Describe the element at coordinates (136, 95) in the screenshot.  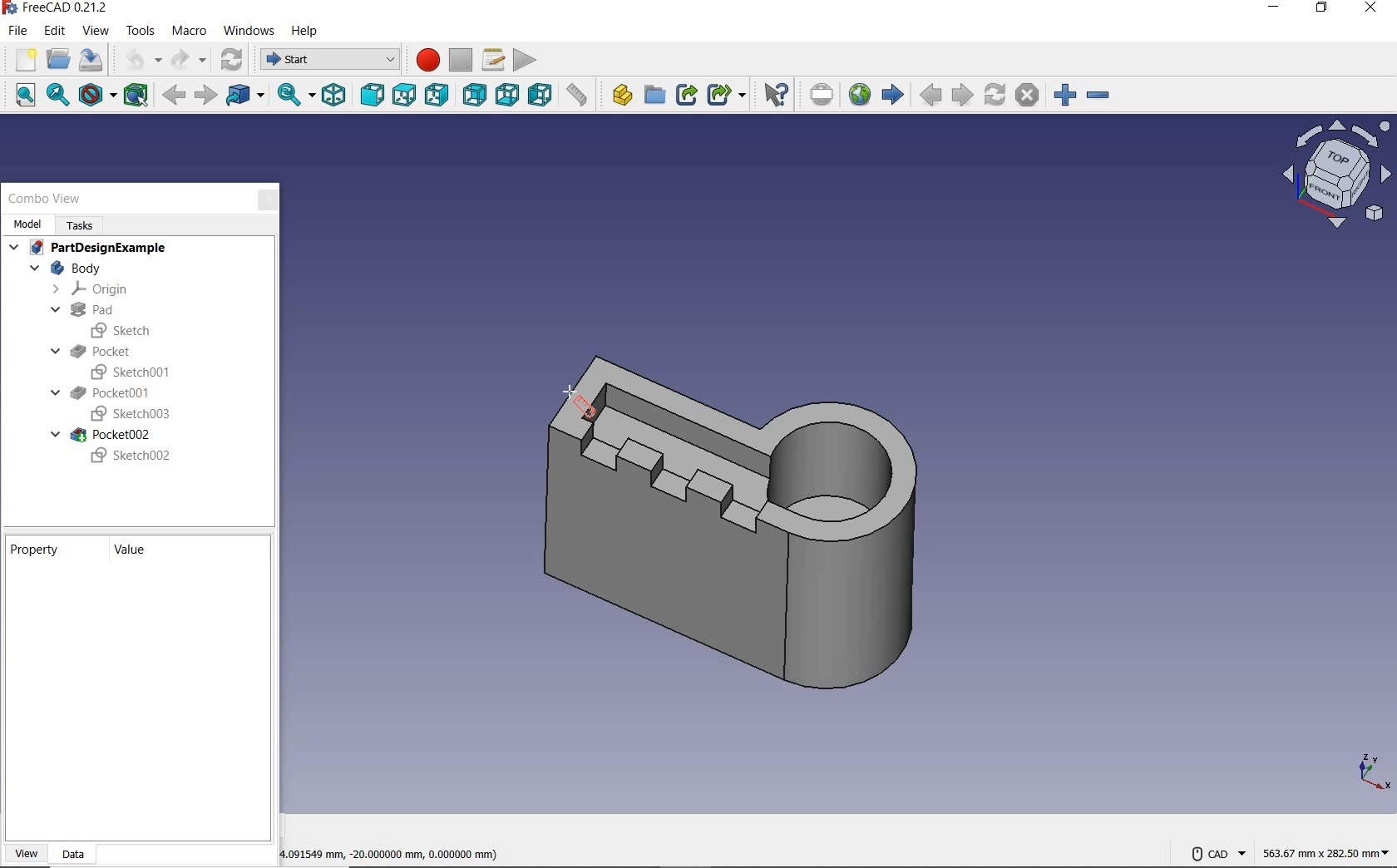
I see `bounding box` at that location.